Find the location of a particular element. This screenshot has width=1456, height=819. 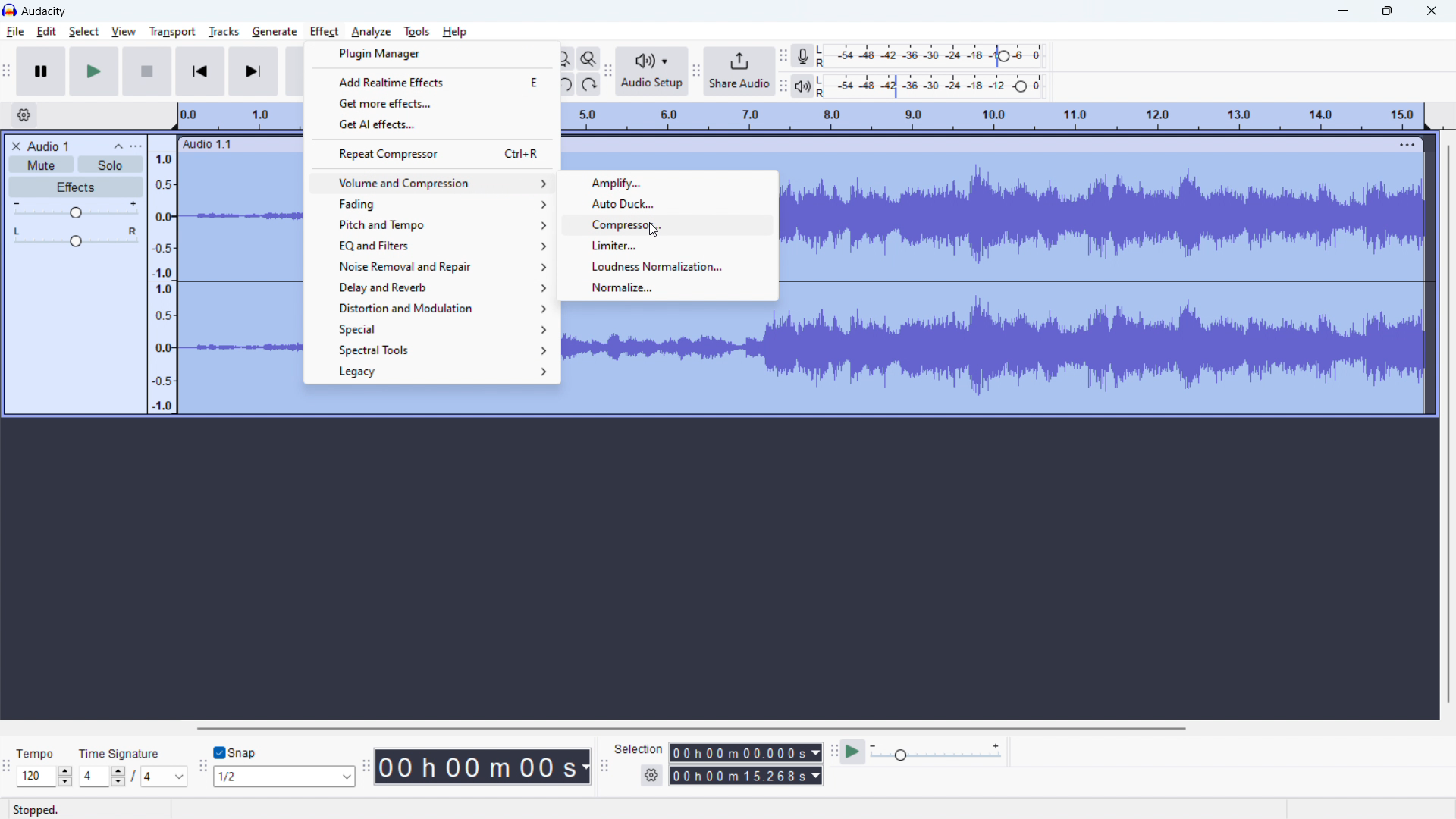

Legacy  is located at coordinates (432, 372).